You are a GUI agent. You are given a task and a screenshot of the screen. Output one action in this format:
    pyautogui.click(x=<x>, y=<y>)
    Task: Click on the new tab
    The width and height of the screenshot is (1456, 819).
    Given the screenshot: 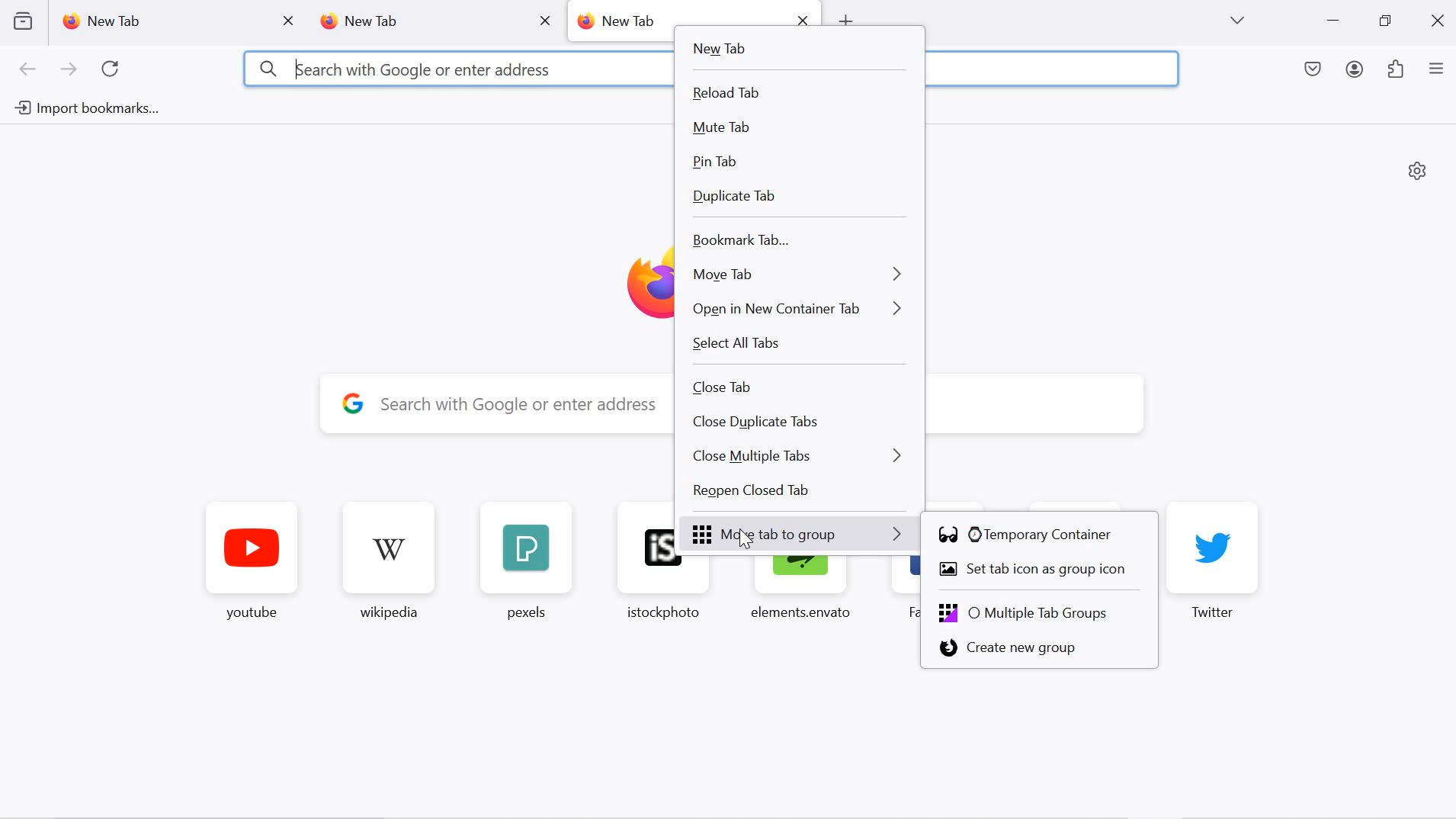 What is the action you would take?
    pyautogui.click(x=621, y=21)
    